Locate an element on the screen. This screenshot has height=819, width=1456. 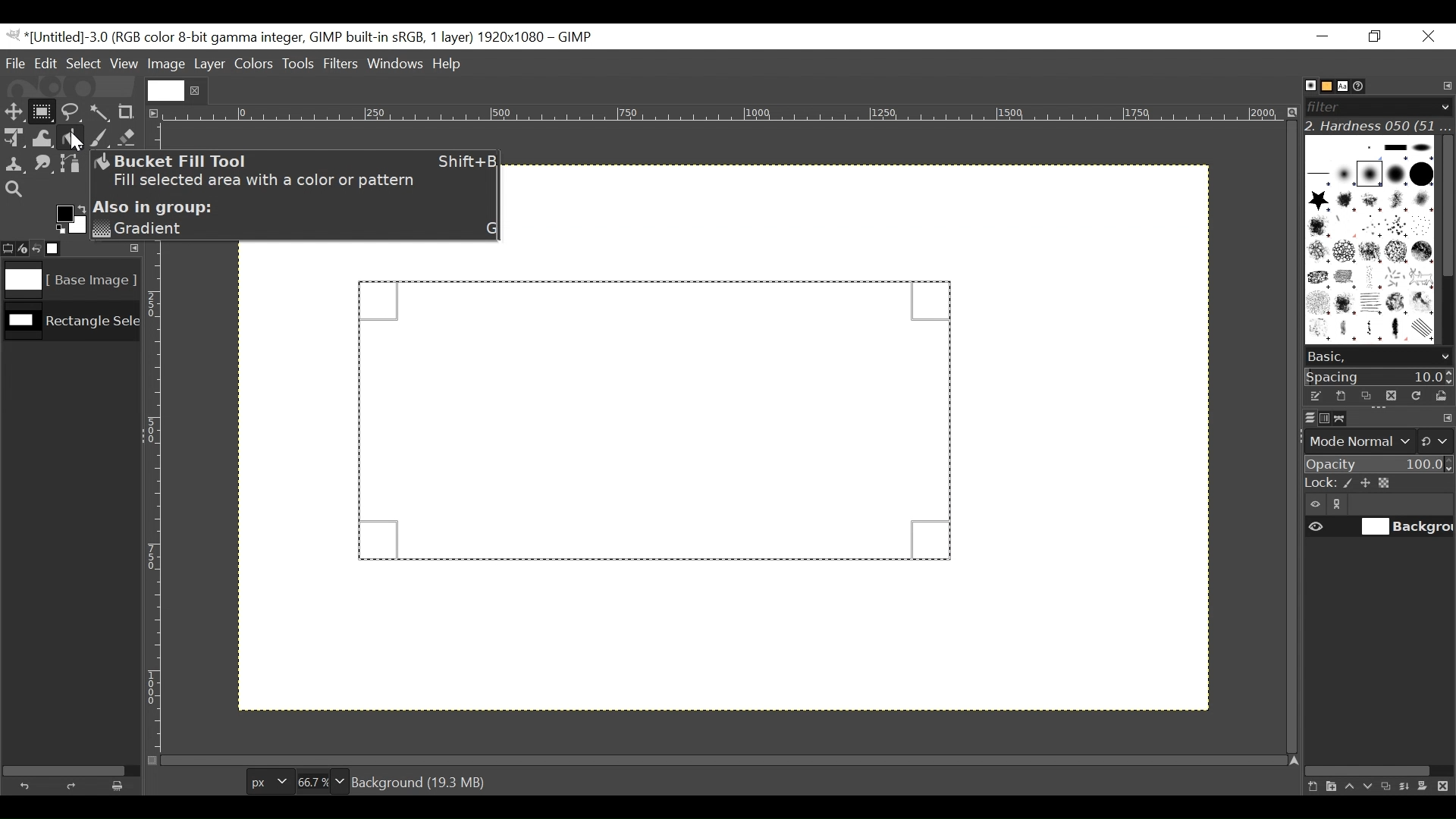
Bucket Fill Tool popup is located at coordinates (297, 197).